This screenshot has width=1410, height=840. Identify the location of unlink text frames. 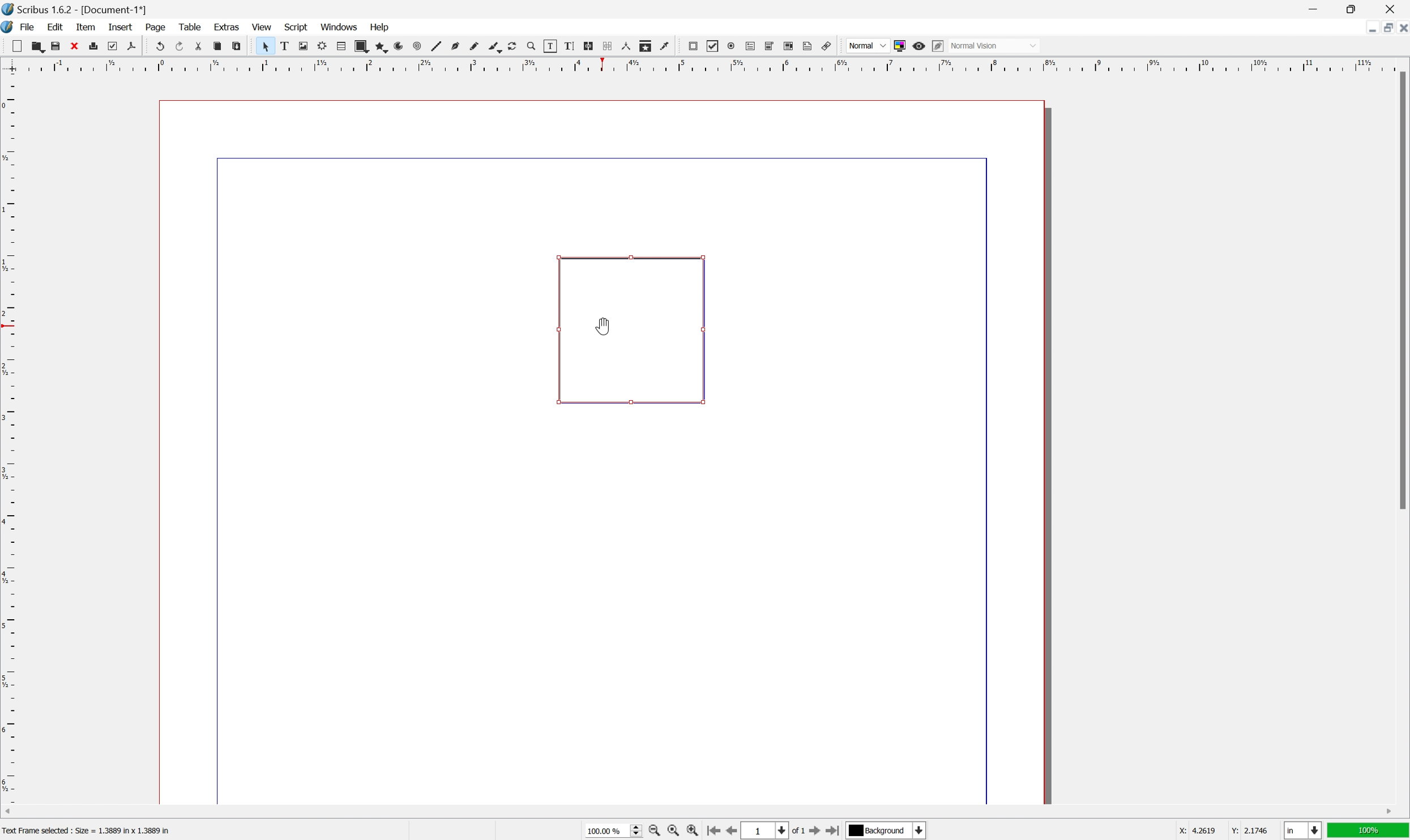
(608, 46).